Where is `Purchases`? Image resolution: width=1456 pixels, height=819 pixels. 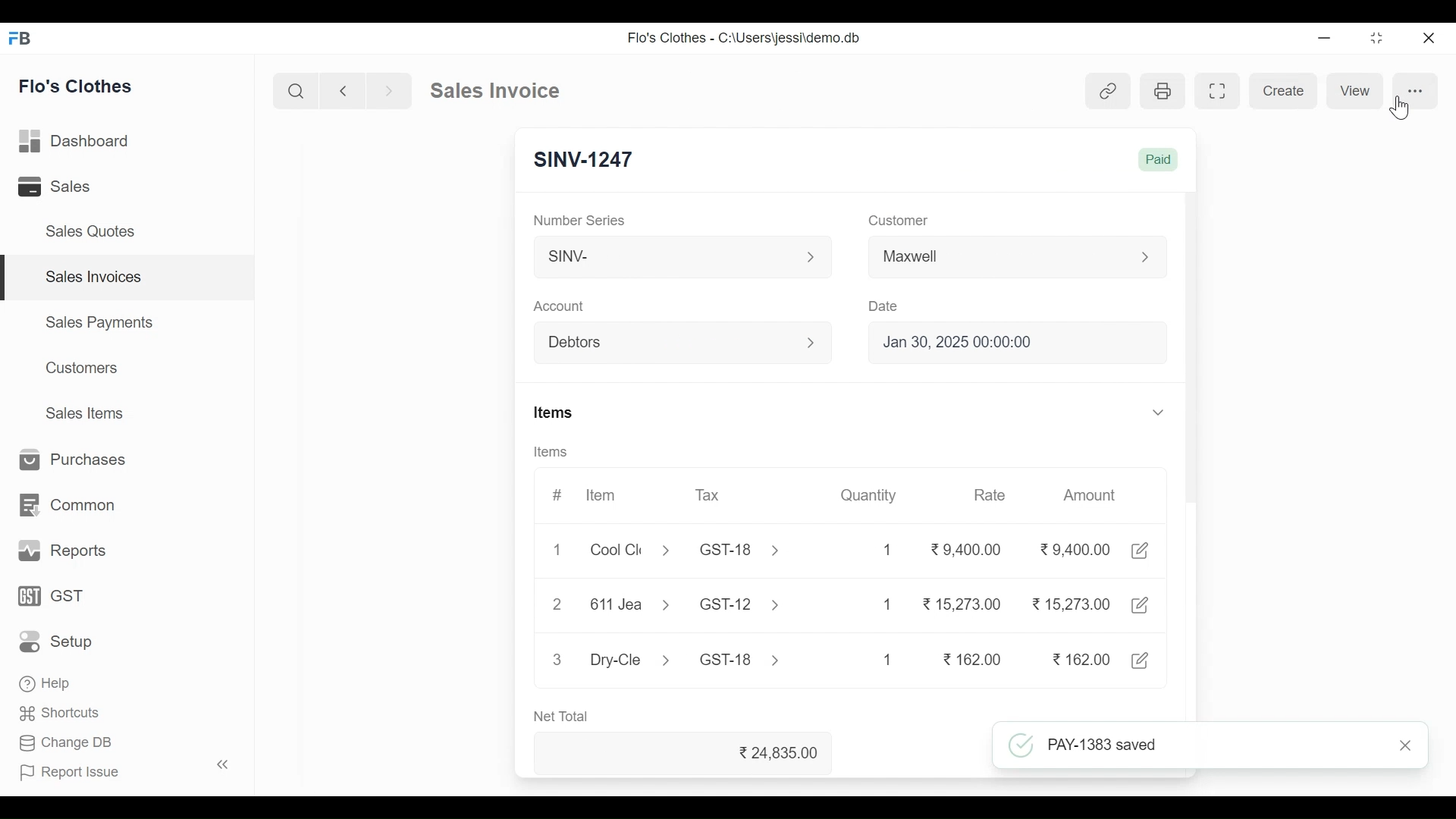 Purchases is located at coordinates (67, 460).